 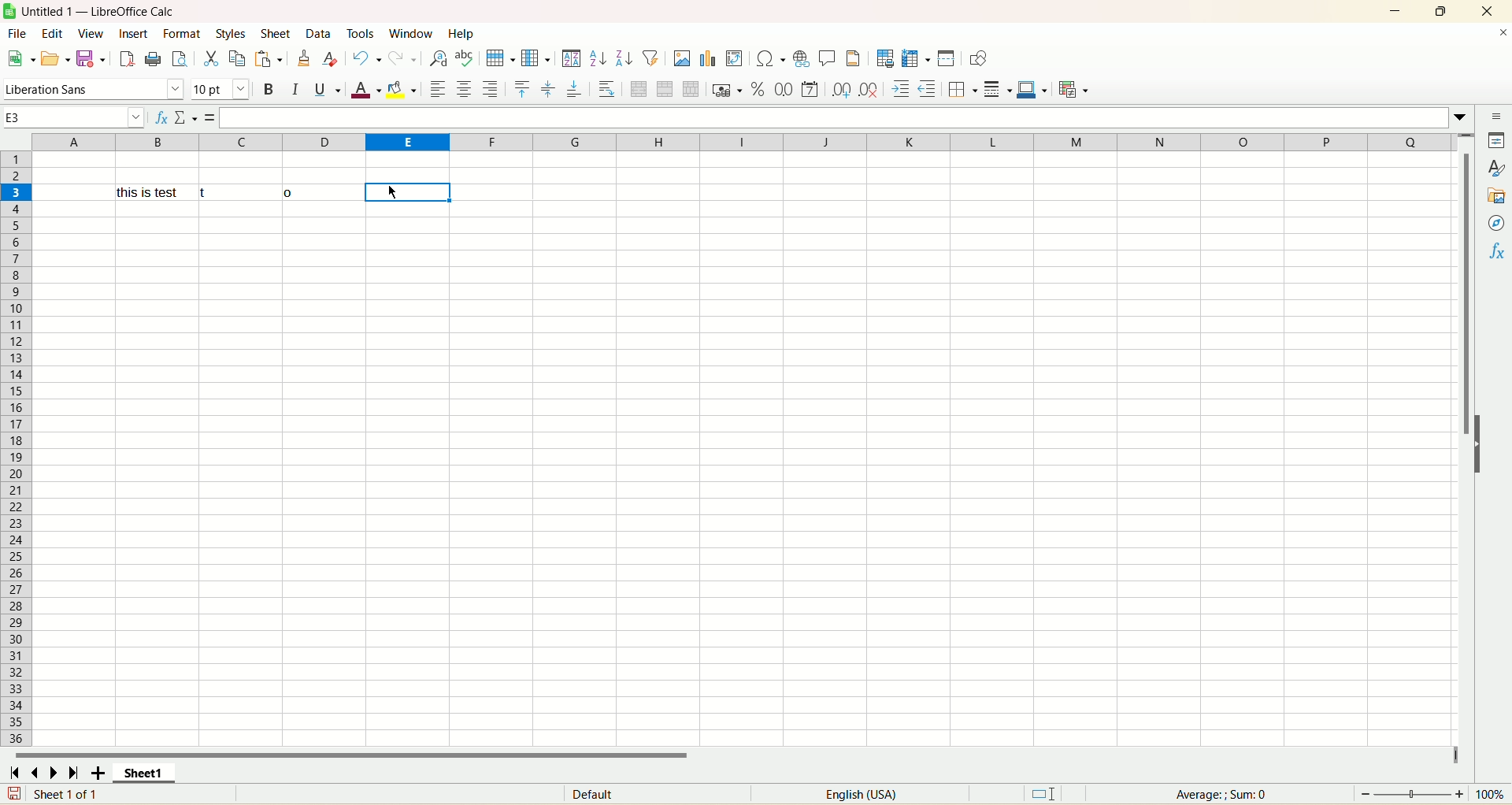 What do you see at coordinates (825, 58) in the screenshot?
I see `insert comment` at bounding box center [825, 58].